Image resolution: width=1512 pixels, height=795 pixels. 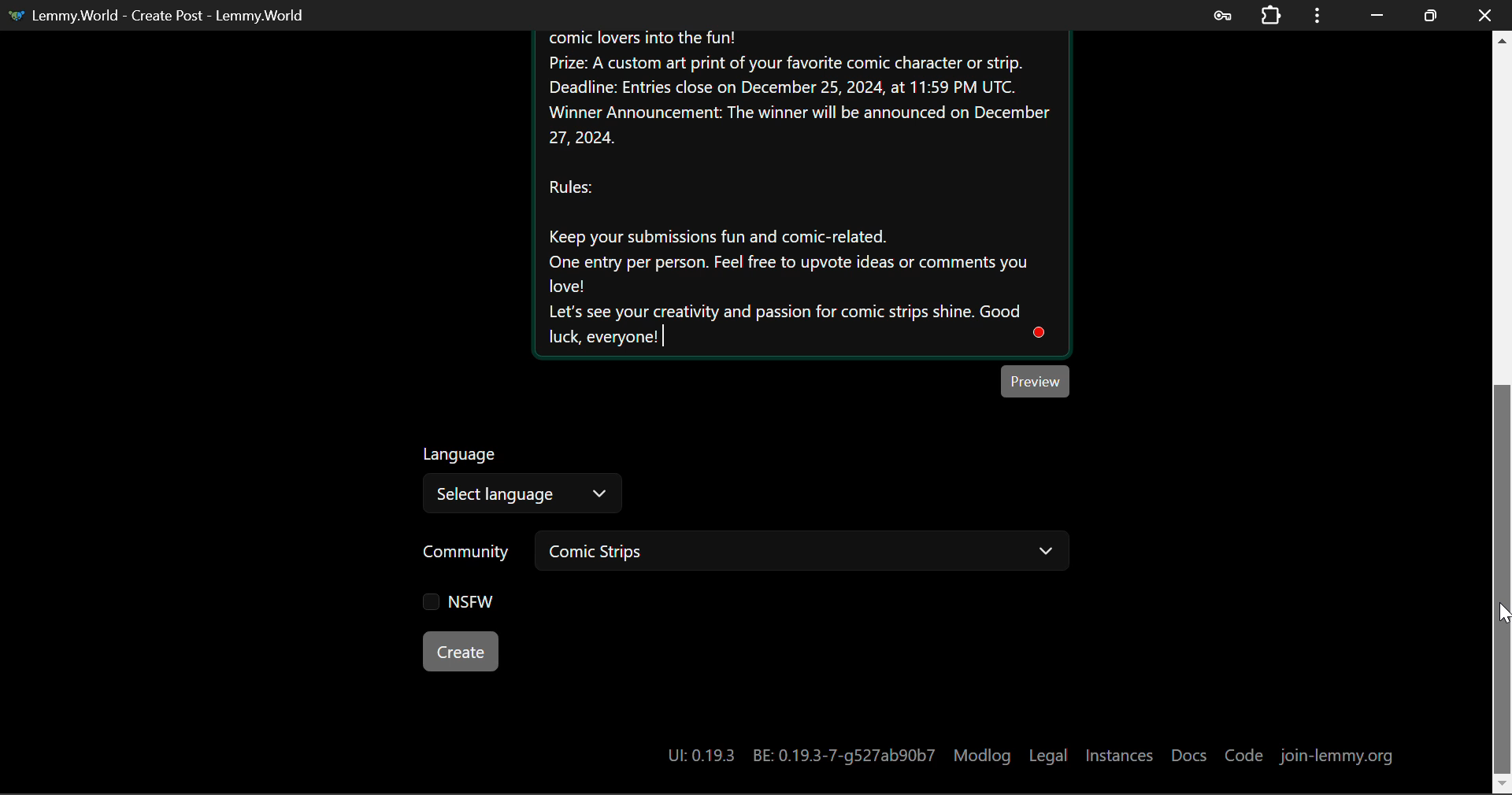 What do you see at coordinates (164, 15) in the screenshot?
I see `Lemmy.World- Create Post - Lemmy.World` at bounding box center [164, 15].